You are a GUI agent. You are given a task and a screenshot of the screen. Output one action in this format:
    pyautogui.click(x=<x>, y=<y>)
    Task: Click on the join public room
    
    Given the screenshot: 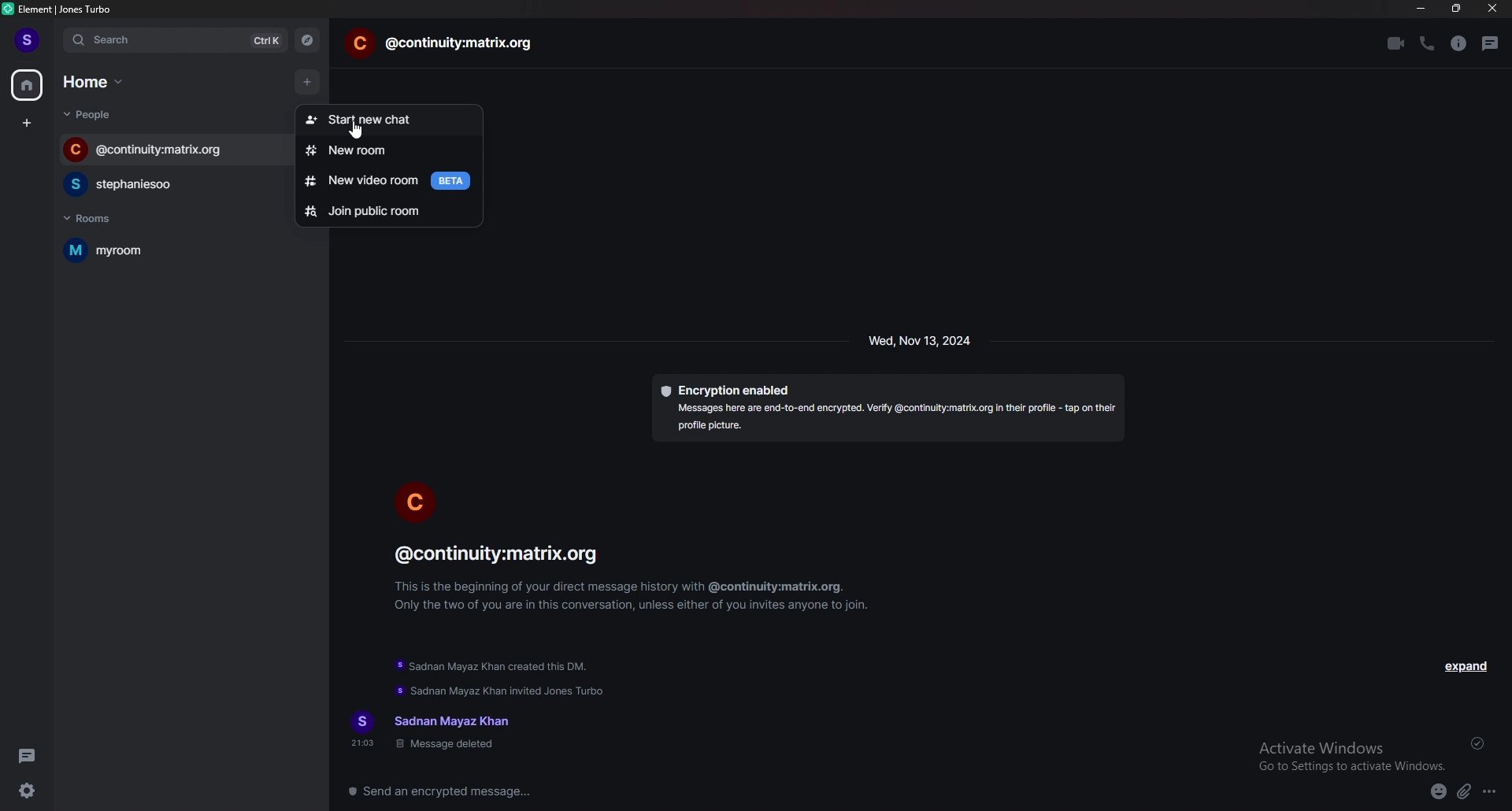 What is the action you would take?
    pyautogui.click(x=389, y=210)
    